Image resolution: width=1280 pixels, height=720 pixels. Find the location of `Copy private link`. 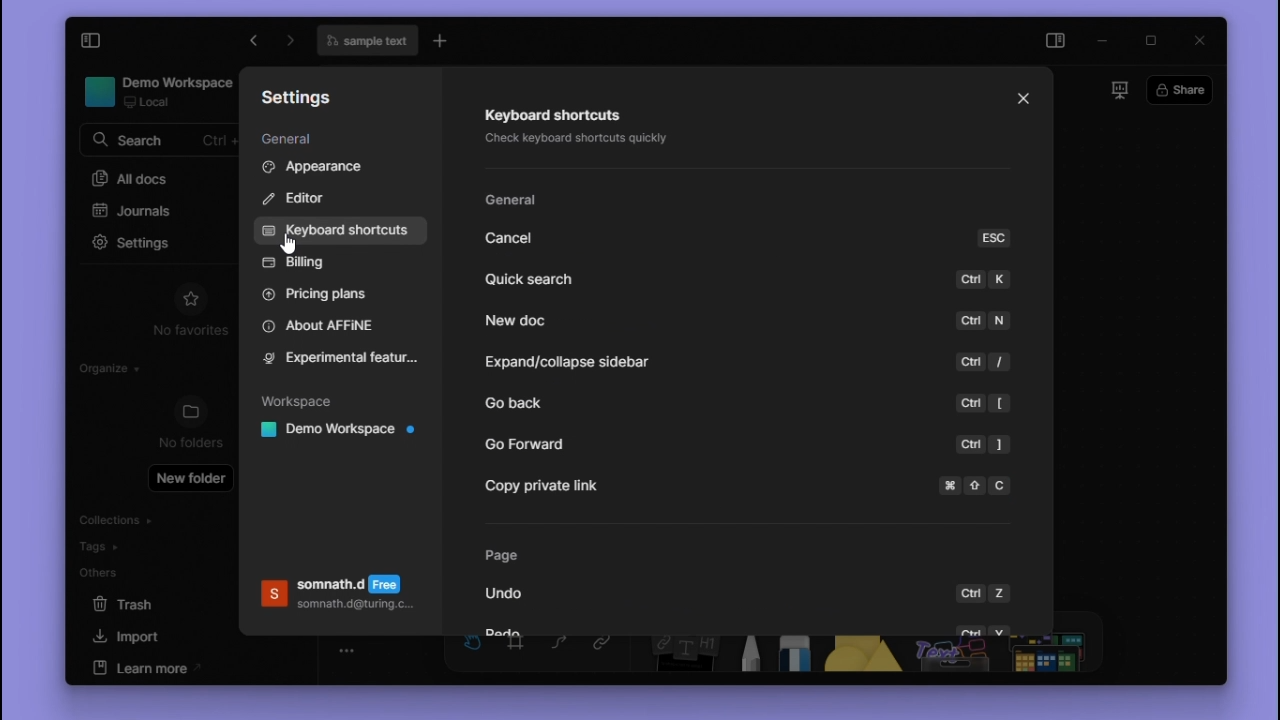

Copy private link is located at coordinates (539, 489).